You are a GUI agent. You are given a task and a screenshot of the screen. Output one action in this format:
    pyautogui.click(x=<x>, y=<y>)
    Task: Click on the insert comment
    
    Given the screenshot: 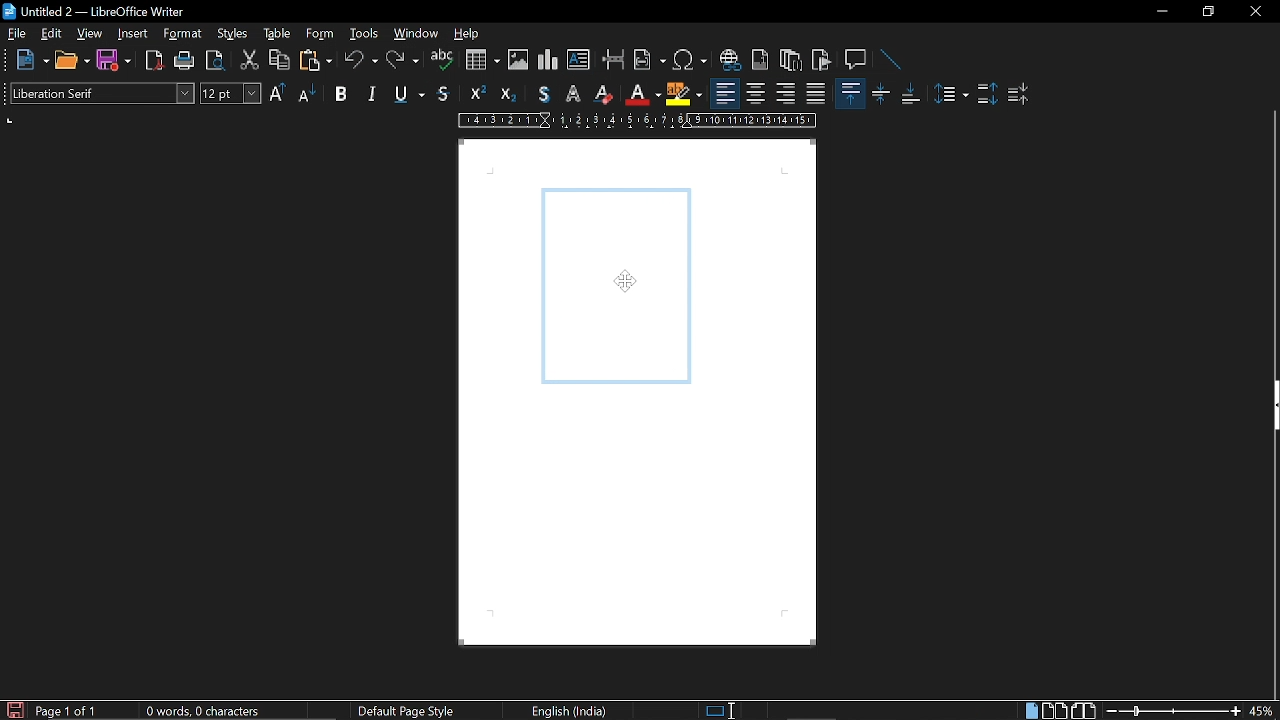 What is the action you would take?
    pyautogui.click(x=856, y=59)
    